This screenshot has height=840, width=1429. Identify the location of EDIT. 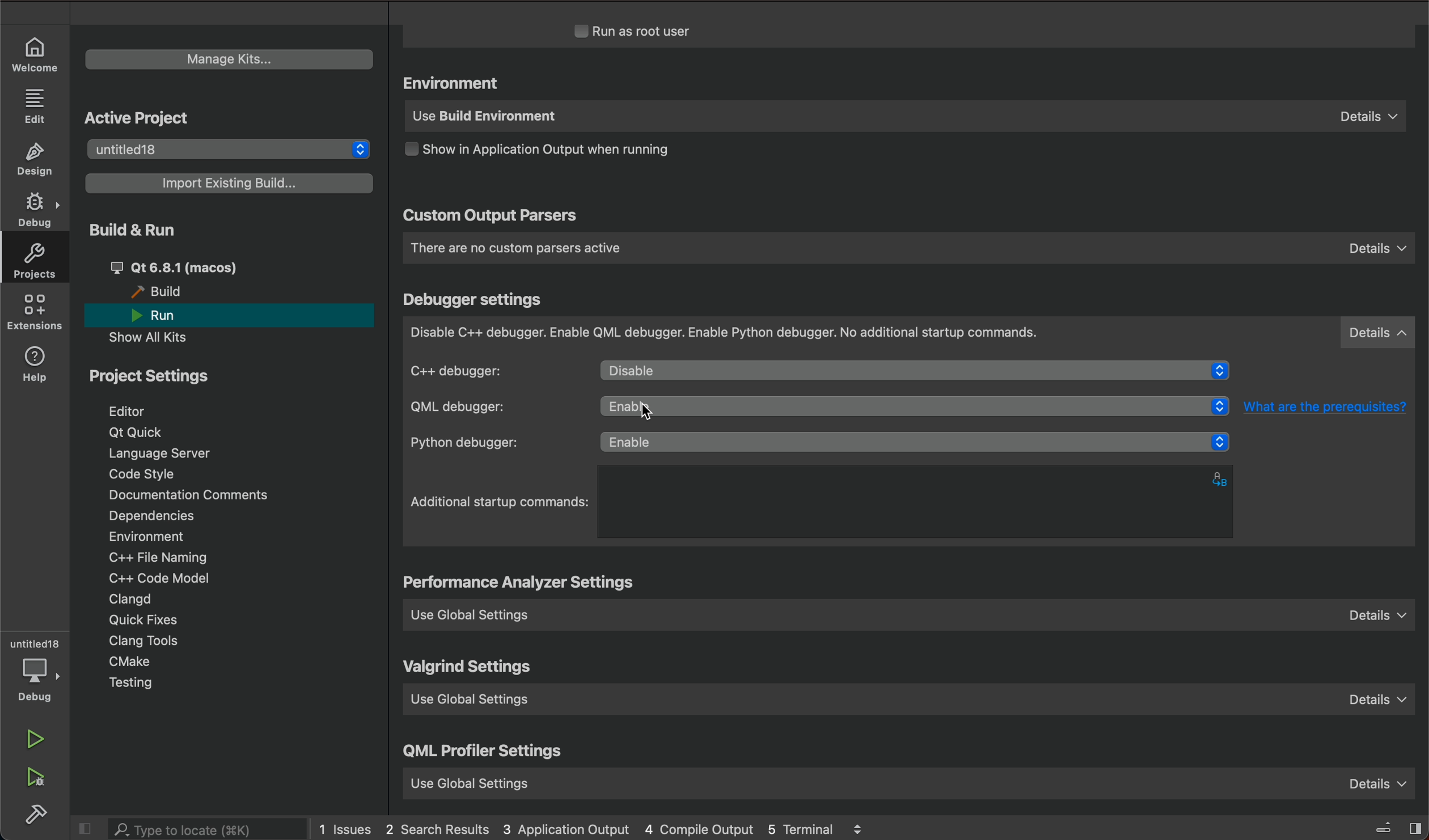
(37, 105).